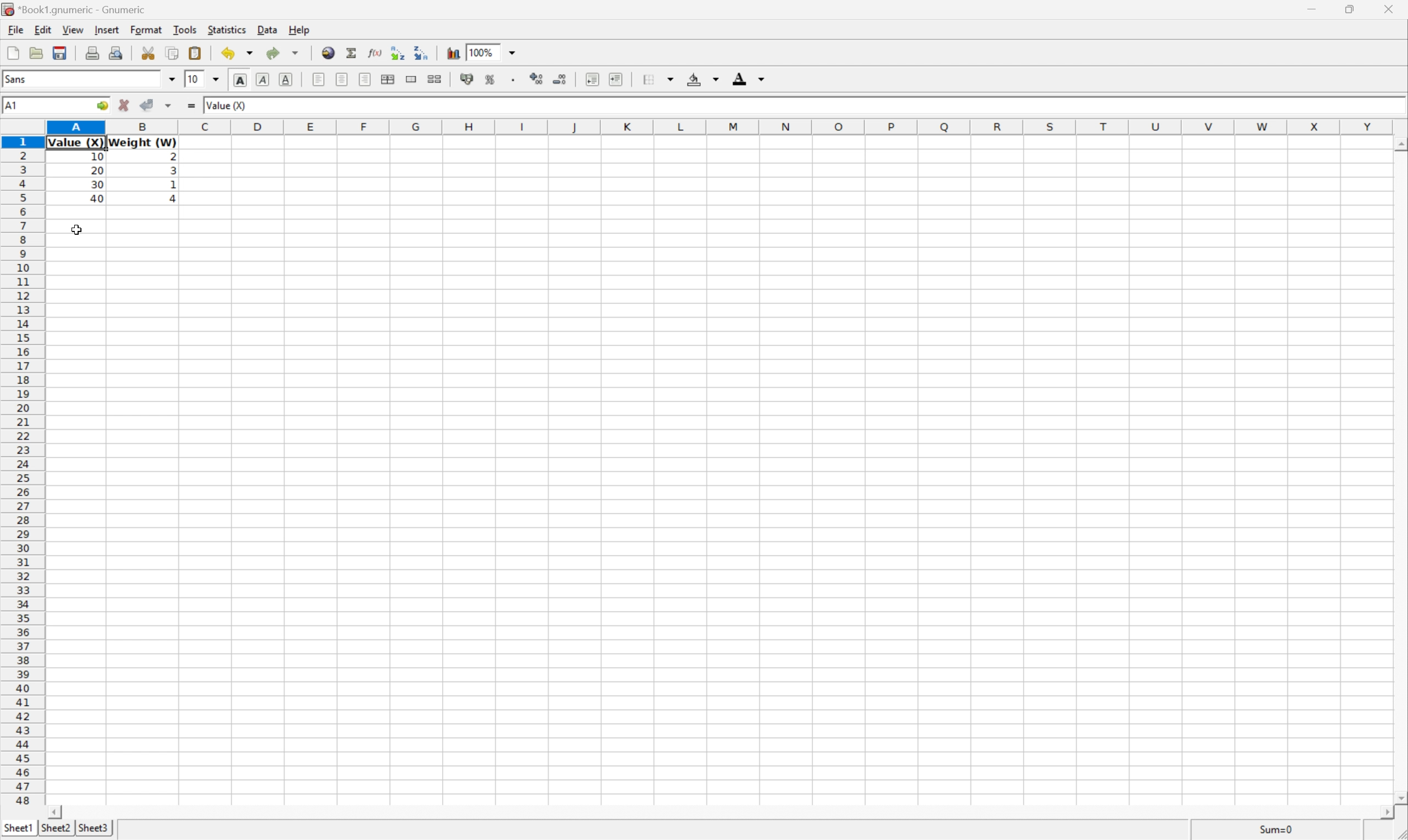  I want to click on Statistics, so click(227, 30).